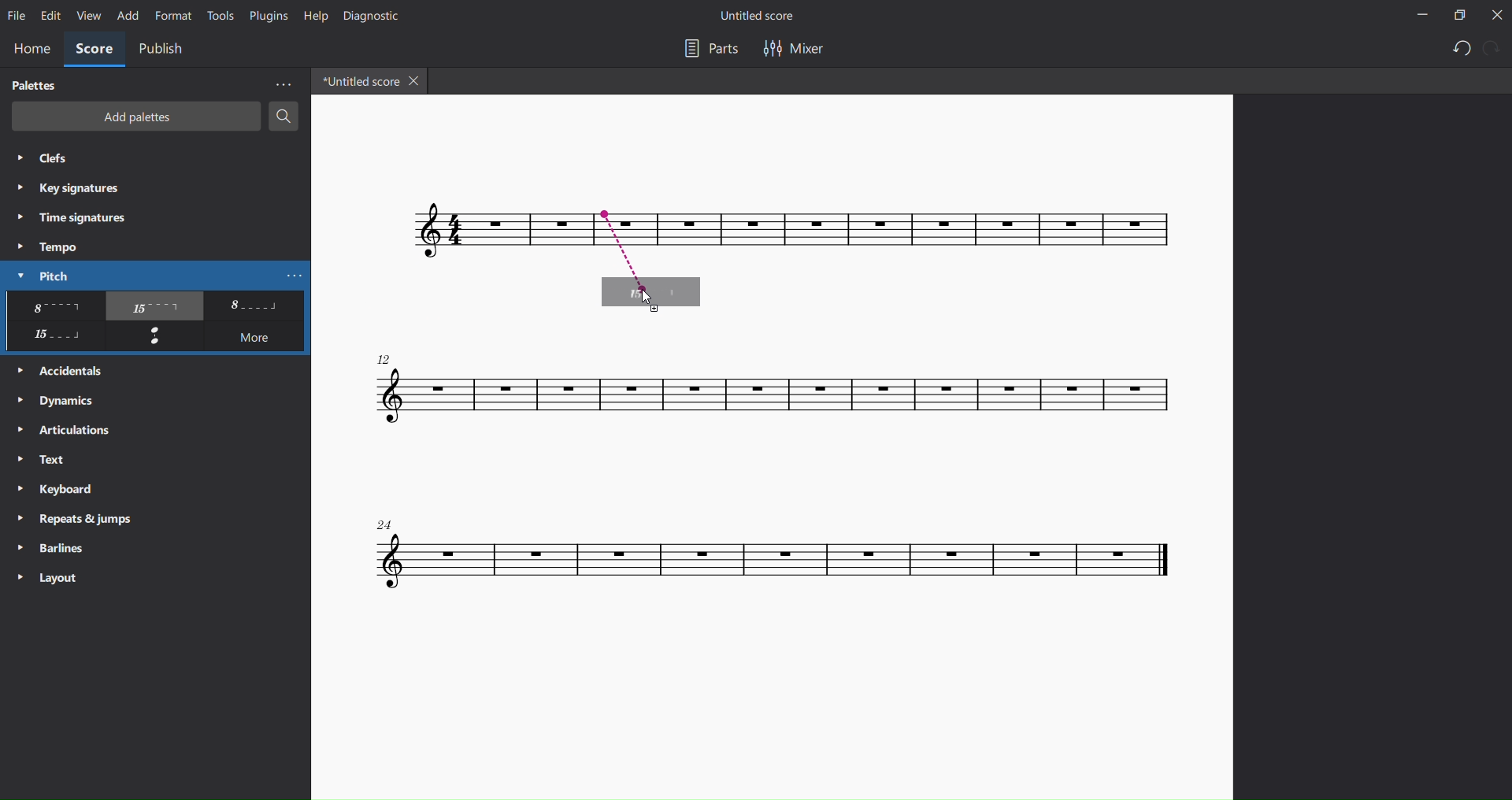  What do you see at coordinates (48, 545) in the screenshot?
I see `barlines` at bounding box center [48, 545].